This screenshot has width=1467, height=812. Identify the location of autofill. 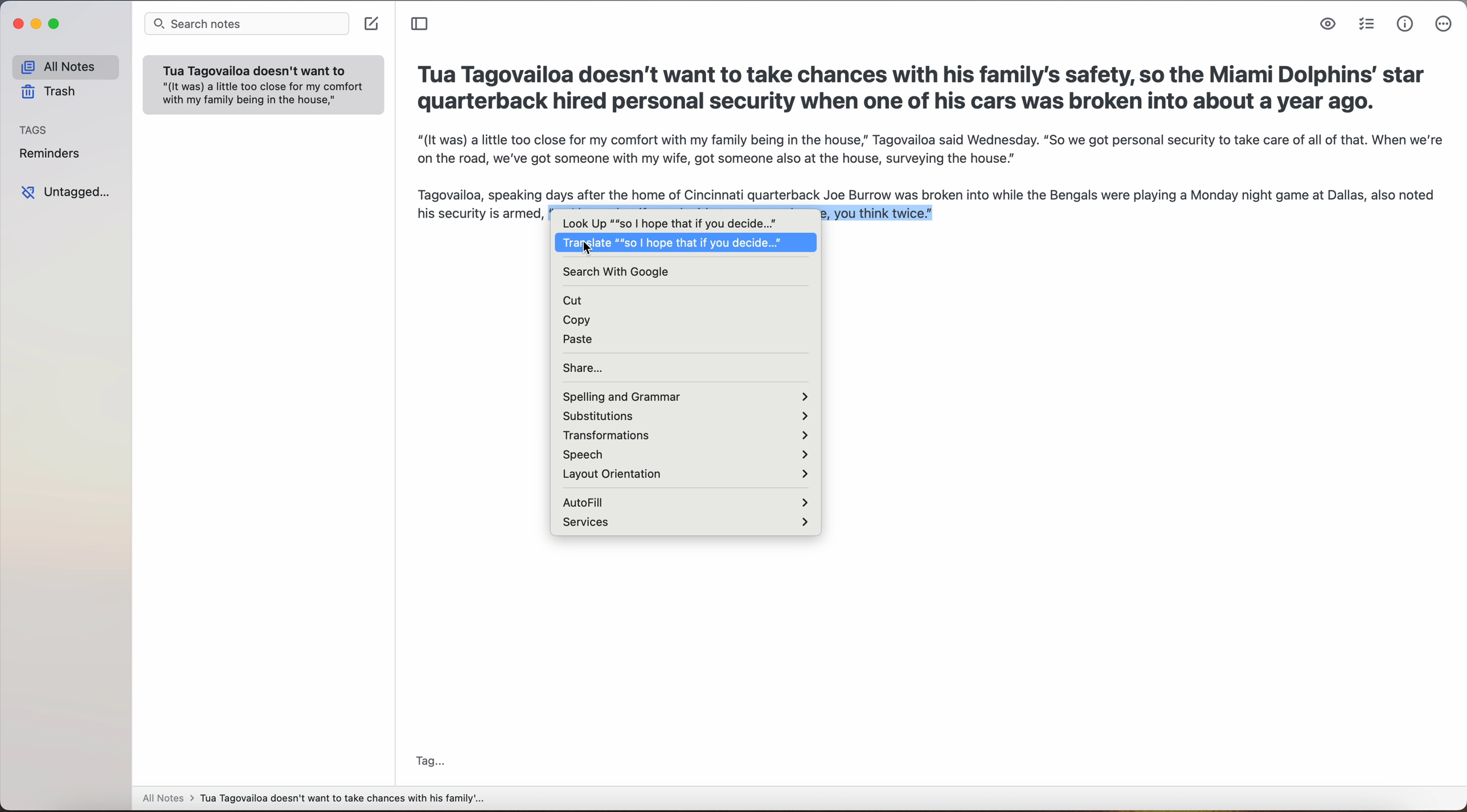
(685, 502).